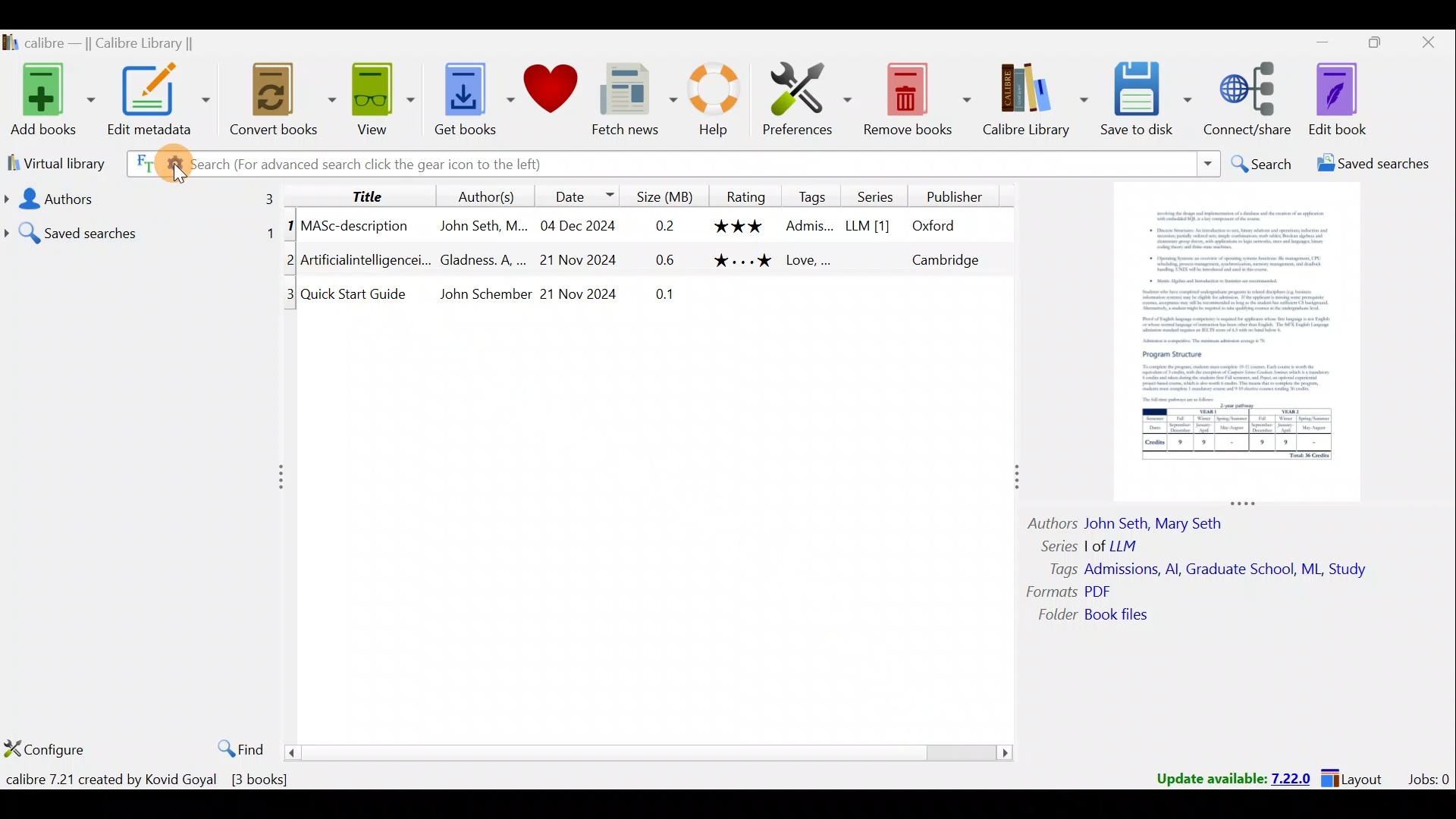  I want to click on View, so click(379, 101).